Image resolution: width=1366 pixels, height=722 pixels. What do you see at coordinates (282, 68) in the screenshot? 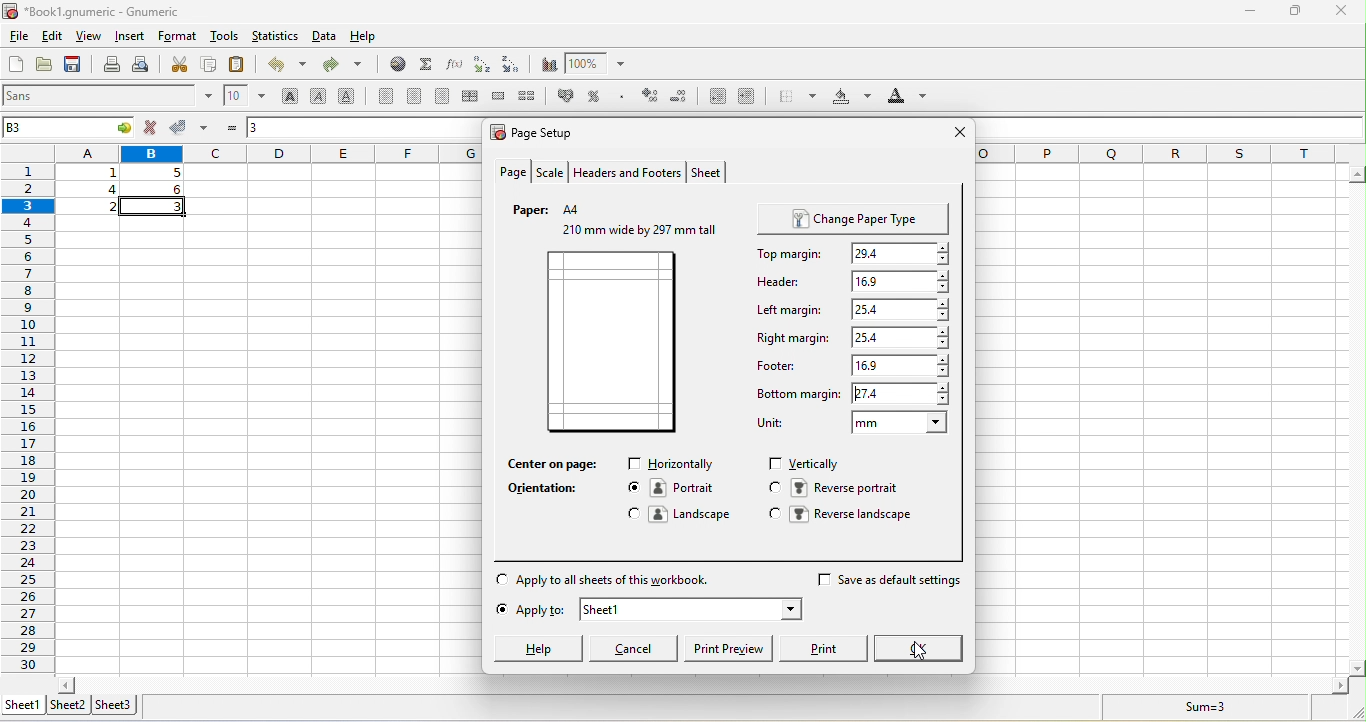
I see `undo` at bounding box center [282, 68].